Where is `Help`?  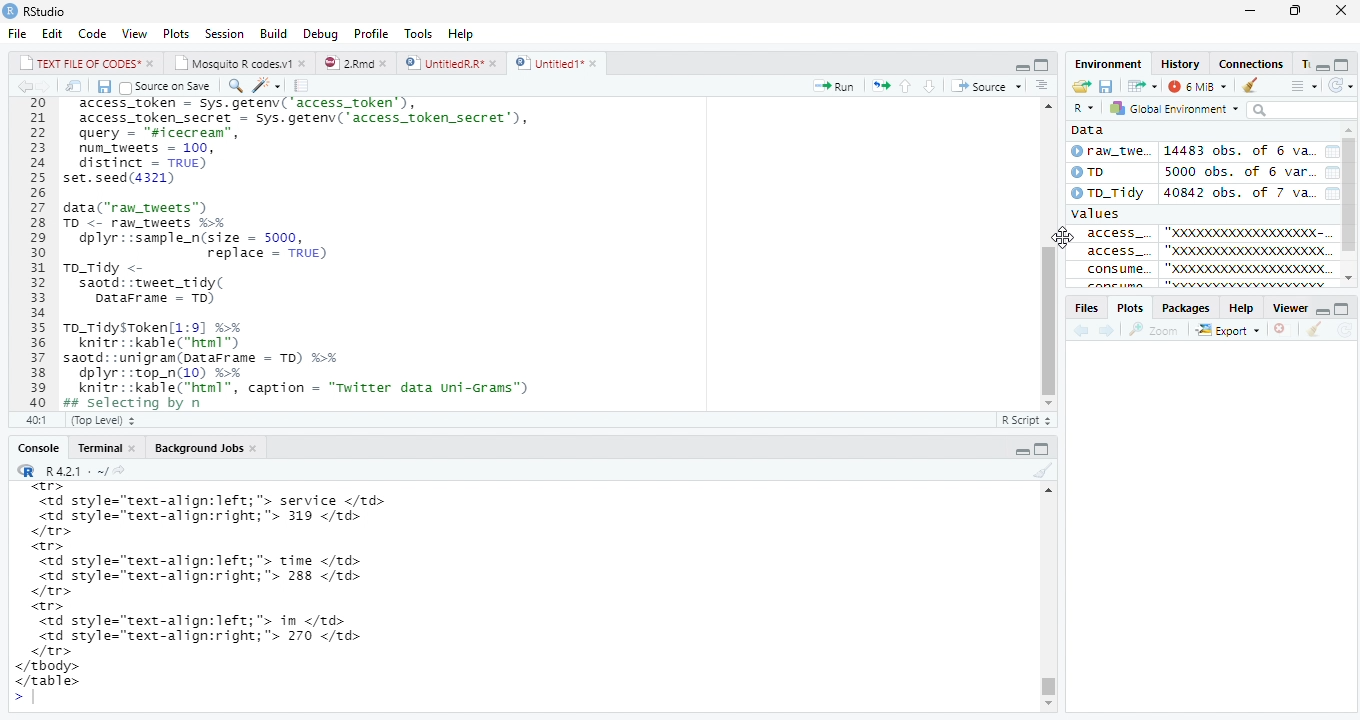 Help is located at coordinates (462, 33).